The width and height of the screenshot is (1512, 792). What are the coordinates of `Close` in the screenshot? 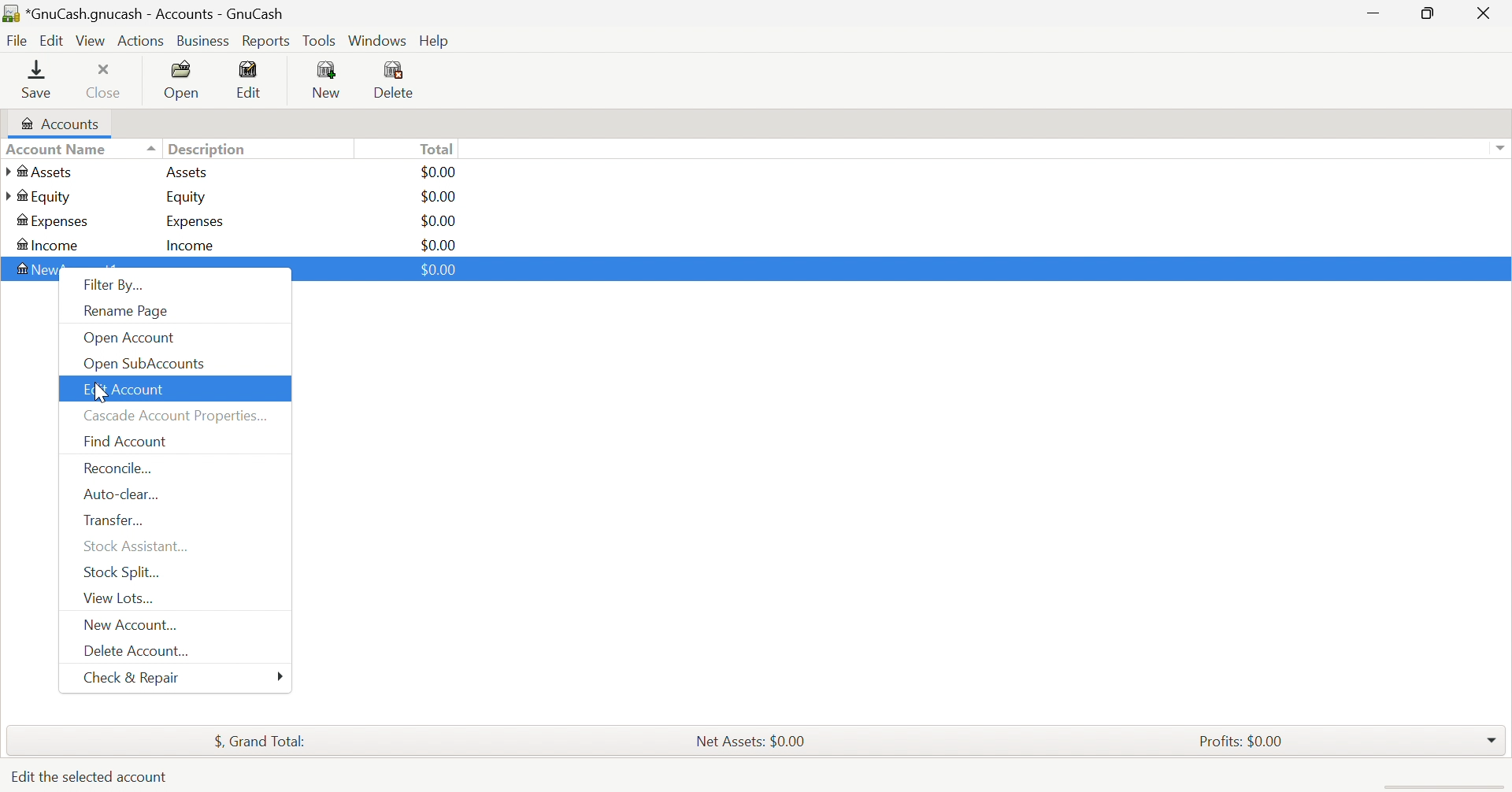 It's located at (107, 80).